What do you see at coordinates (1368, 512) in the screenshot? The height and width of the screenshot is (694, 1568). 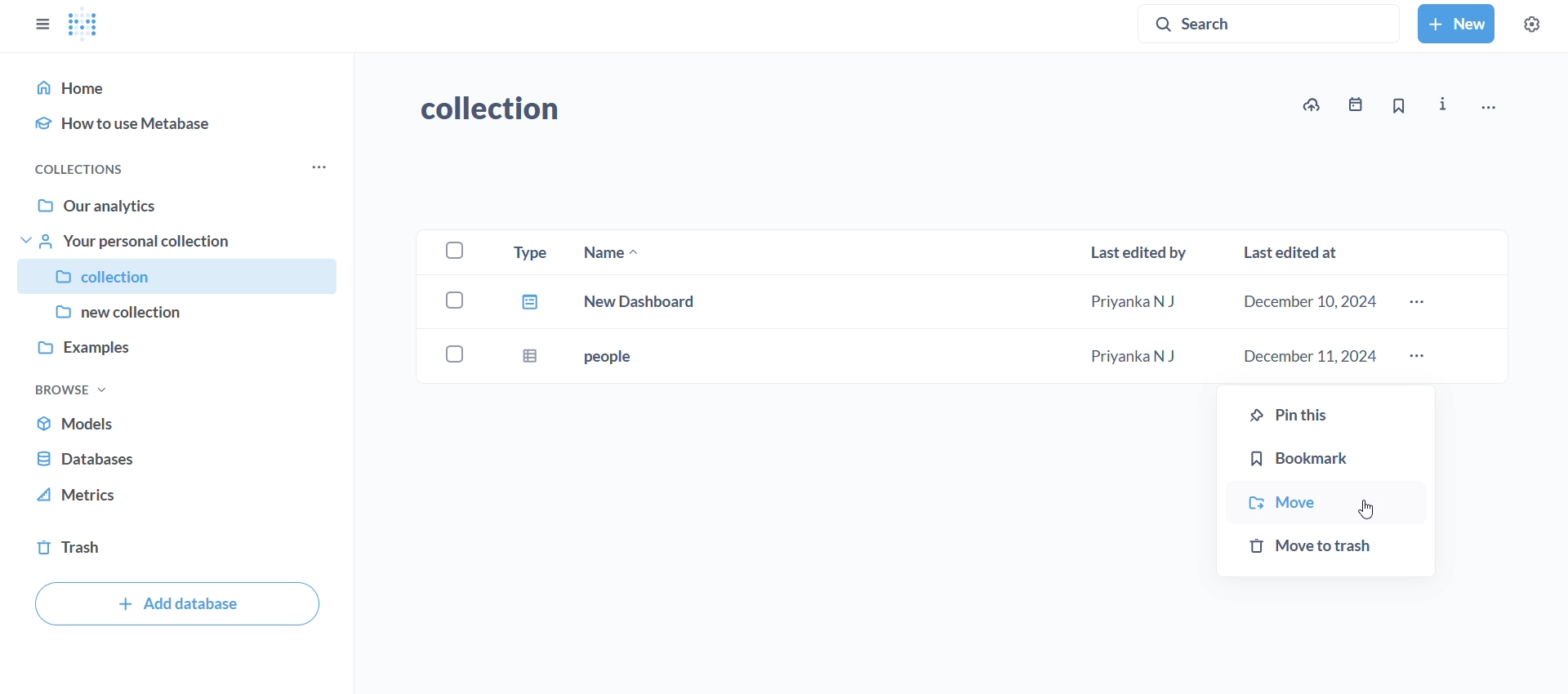 I see `Cursor` at bounding box center [1368, 512].